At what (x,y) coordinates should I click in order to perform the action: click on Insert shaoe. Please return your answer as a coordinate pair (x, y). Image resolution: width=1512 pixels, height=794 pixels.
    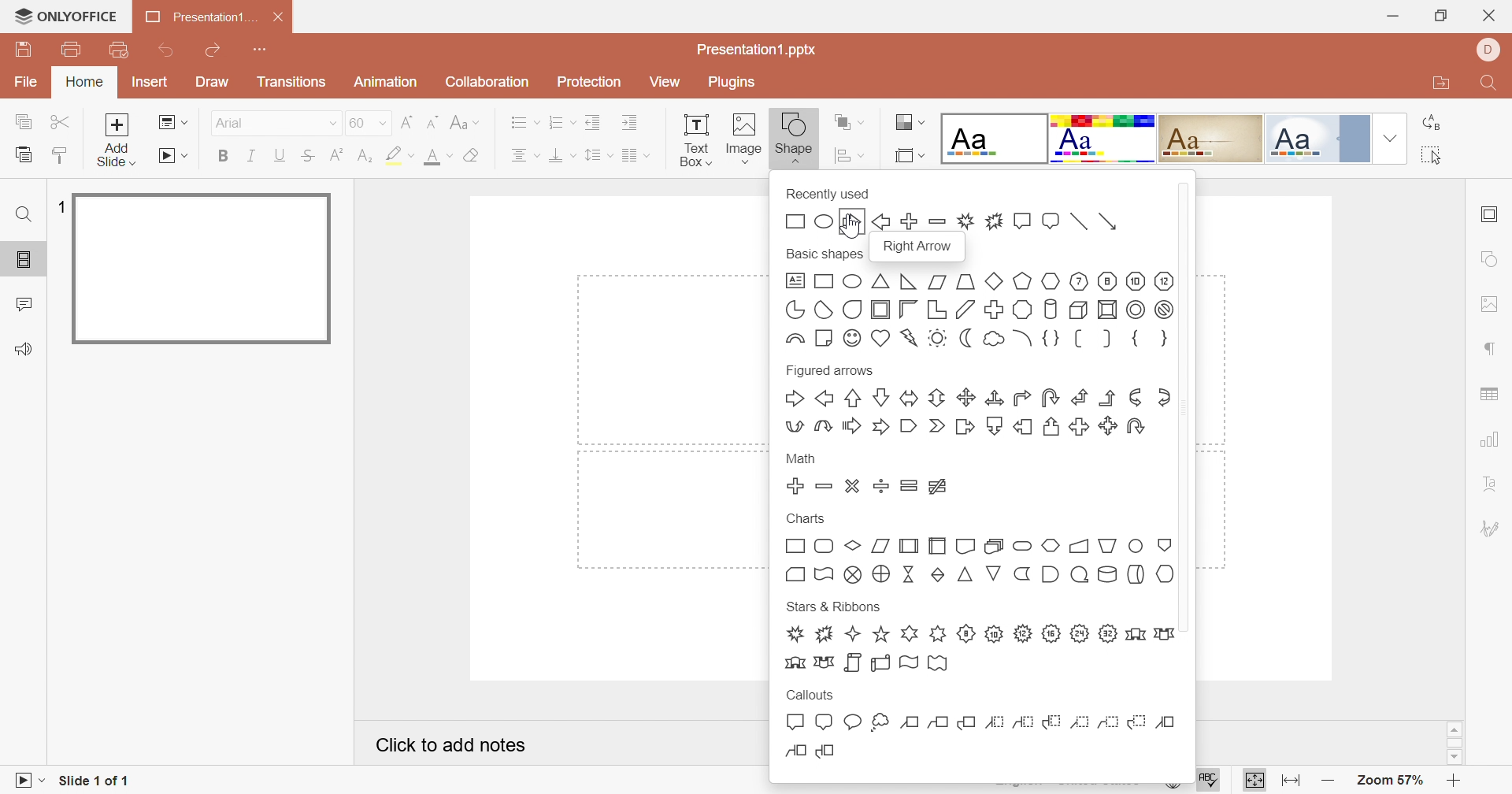
    Looking at the image, I should click on (864, 154).